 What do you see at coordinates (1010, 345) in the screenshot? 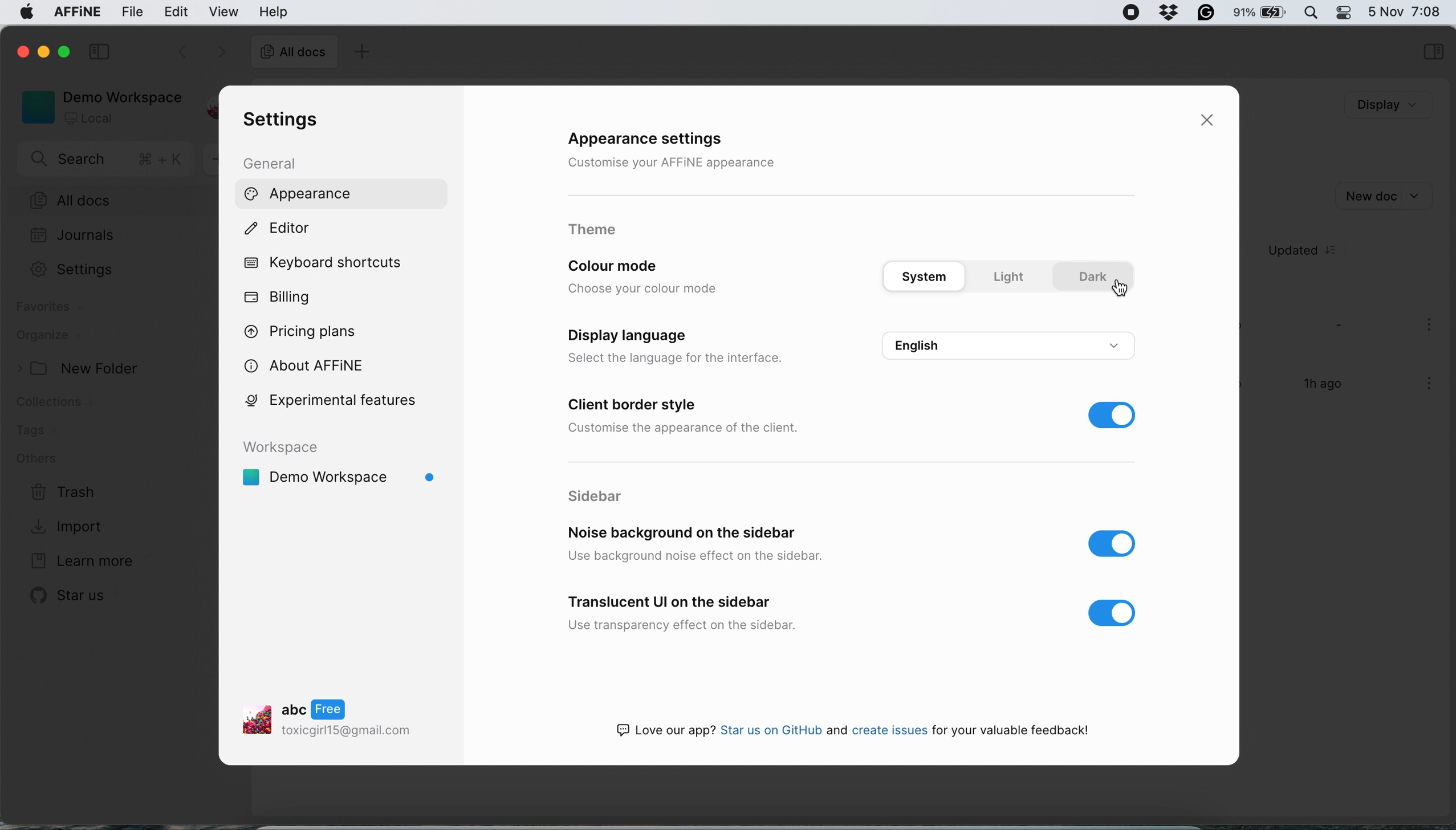
I see `english` at bounding box center [1010, 345].